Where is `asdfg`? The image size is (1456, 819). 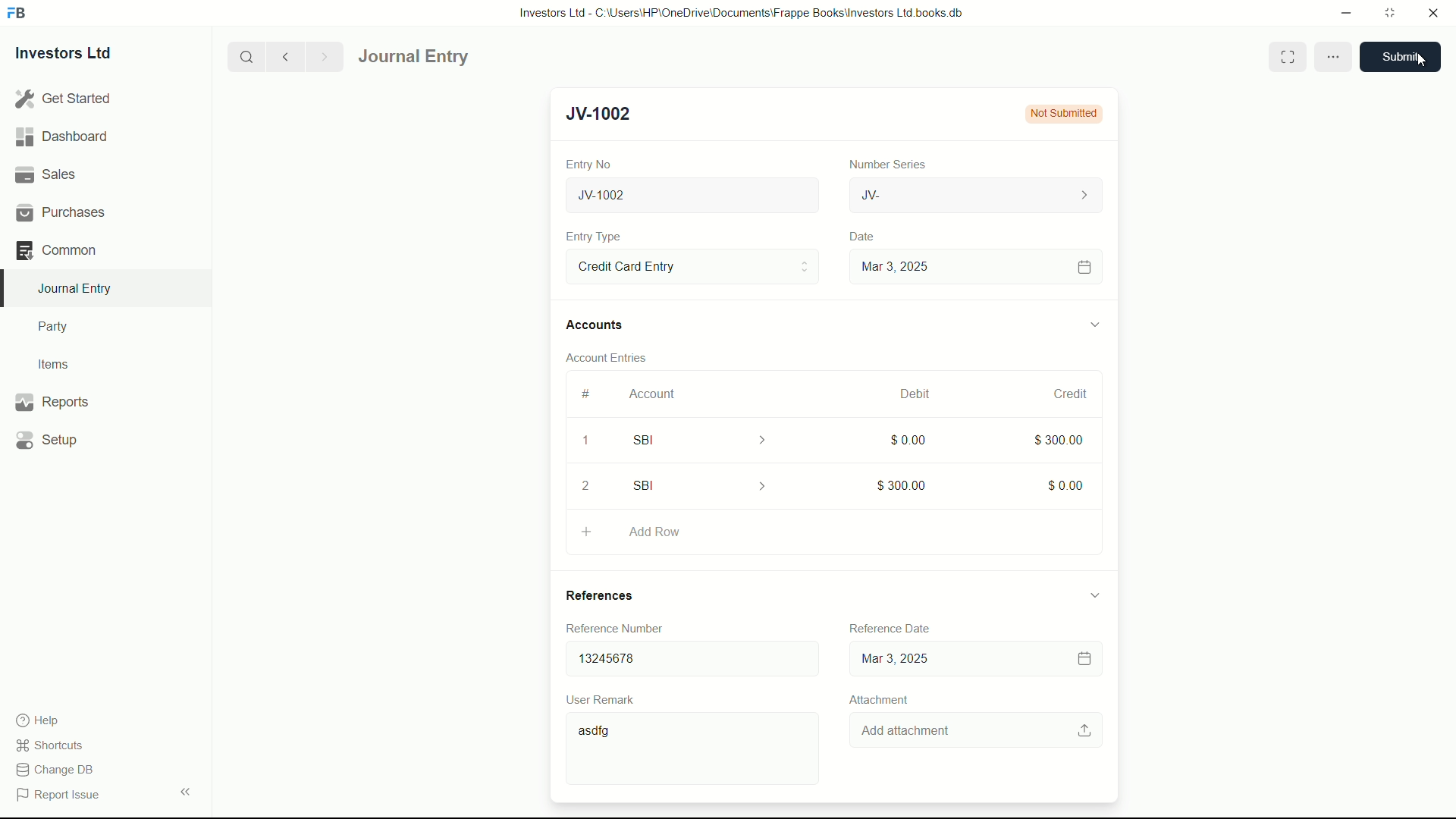
asdfg is located at coordinates (695, 752).